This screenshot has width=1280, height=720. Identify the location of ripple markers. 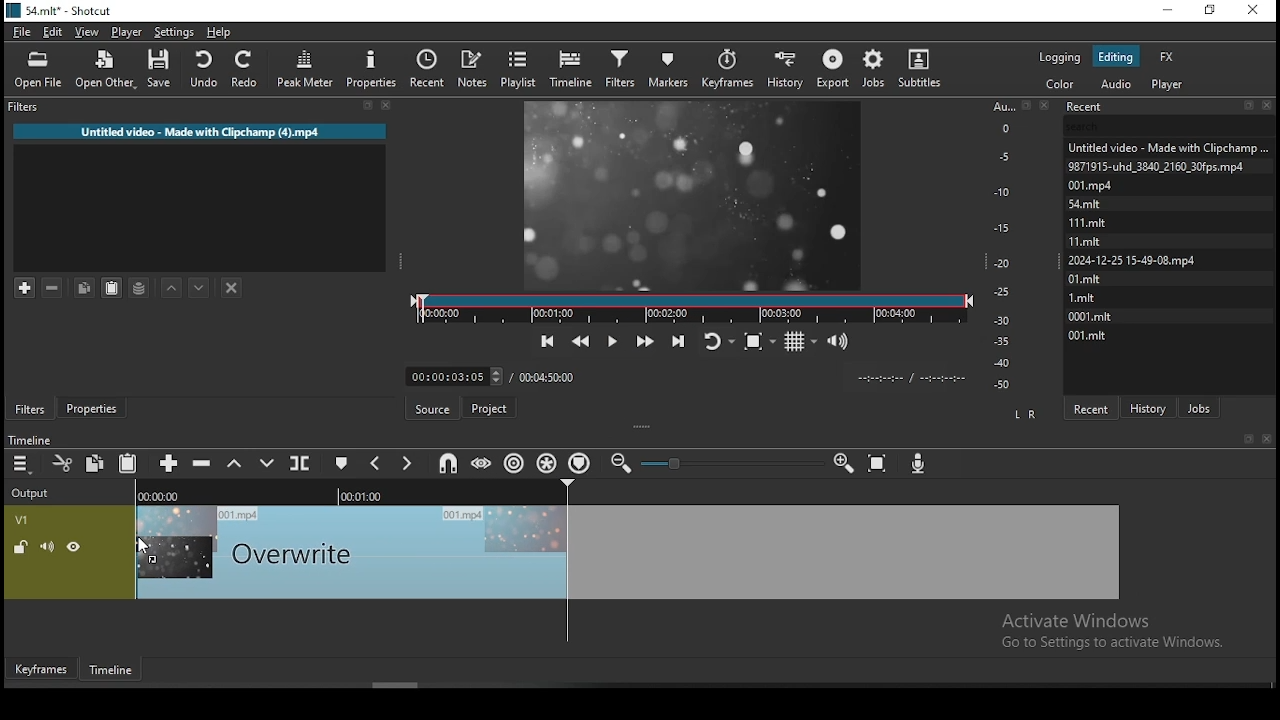
(581, 461).